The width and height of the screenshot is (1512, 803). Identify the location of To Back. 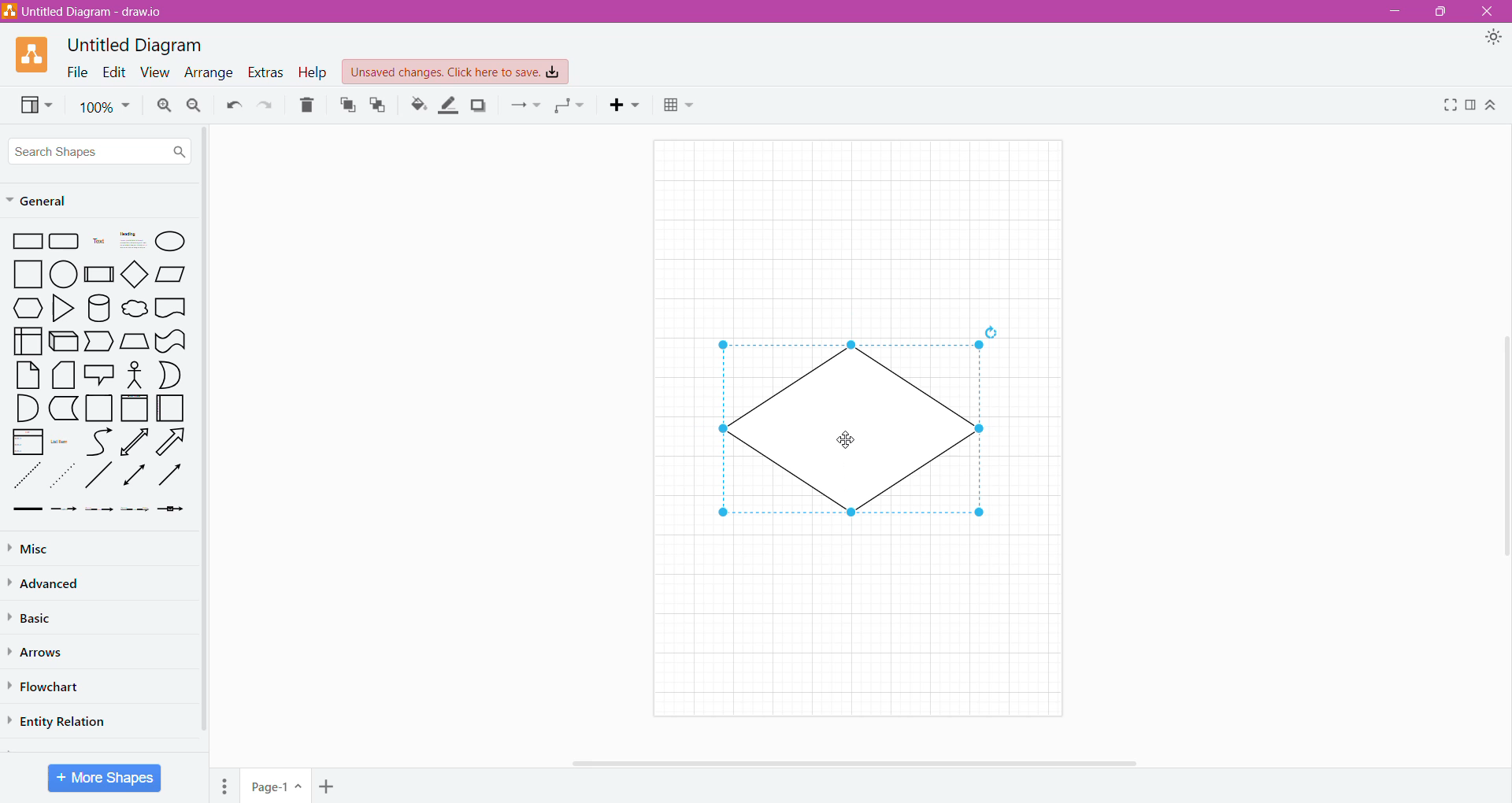
(379, 105).